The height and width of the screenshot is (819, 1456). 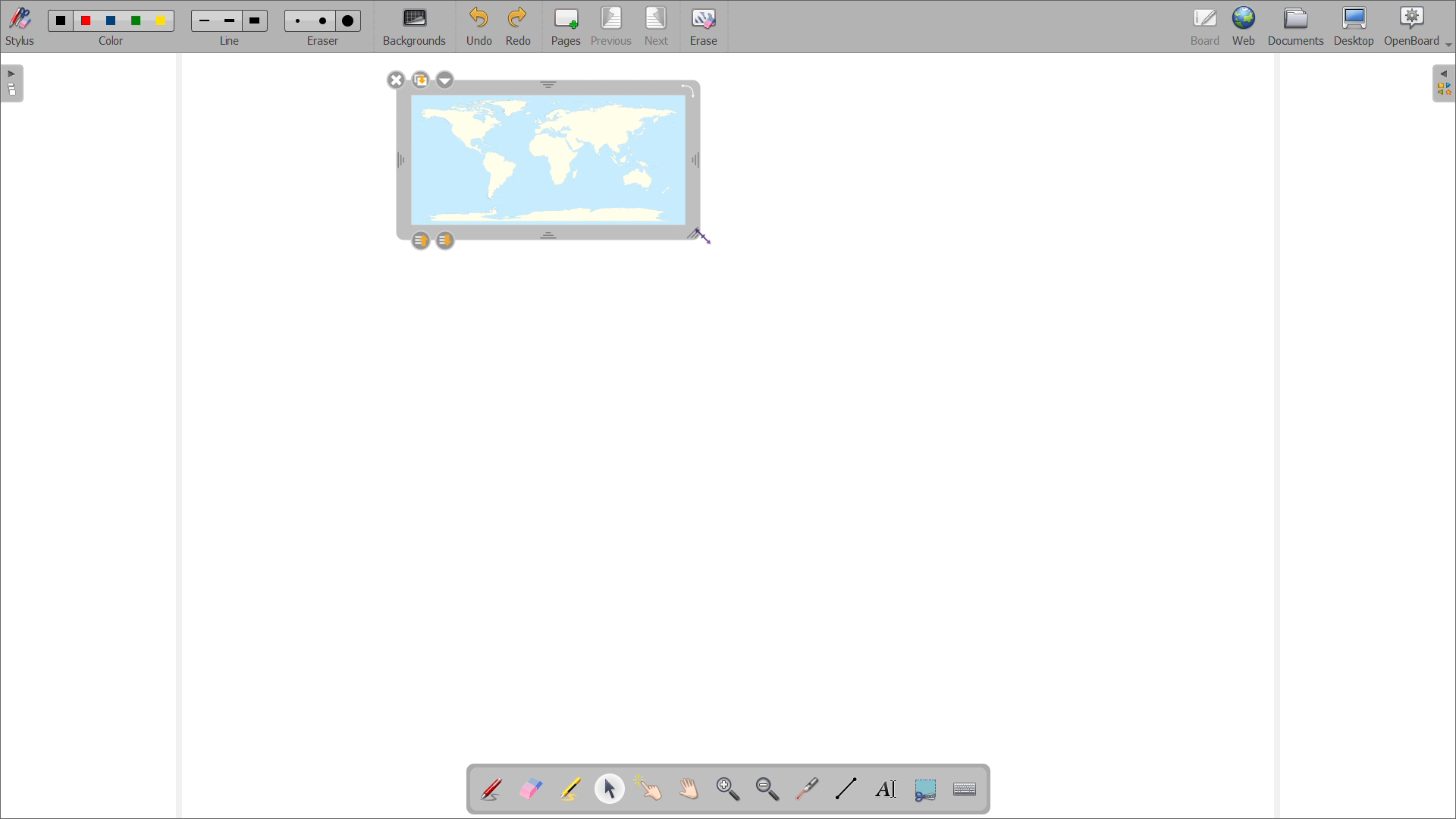 What do you see at coordinates (544, 162) in the screenshot?
I see `image` at bounding box center [544, 162].